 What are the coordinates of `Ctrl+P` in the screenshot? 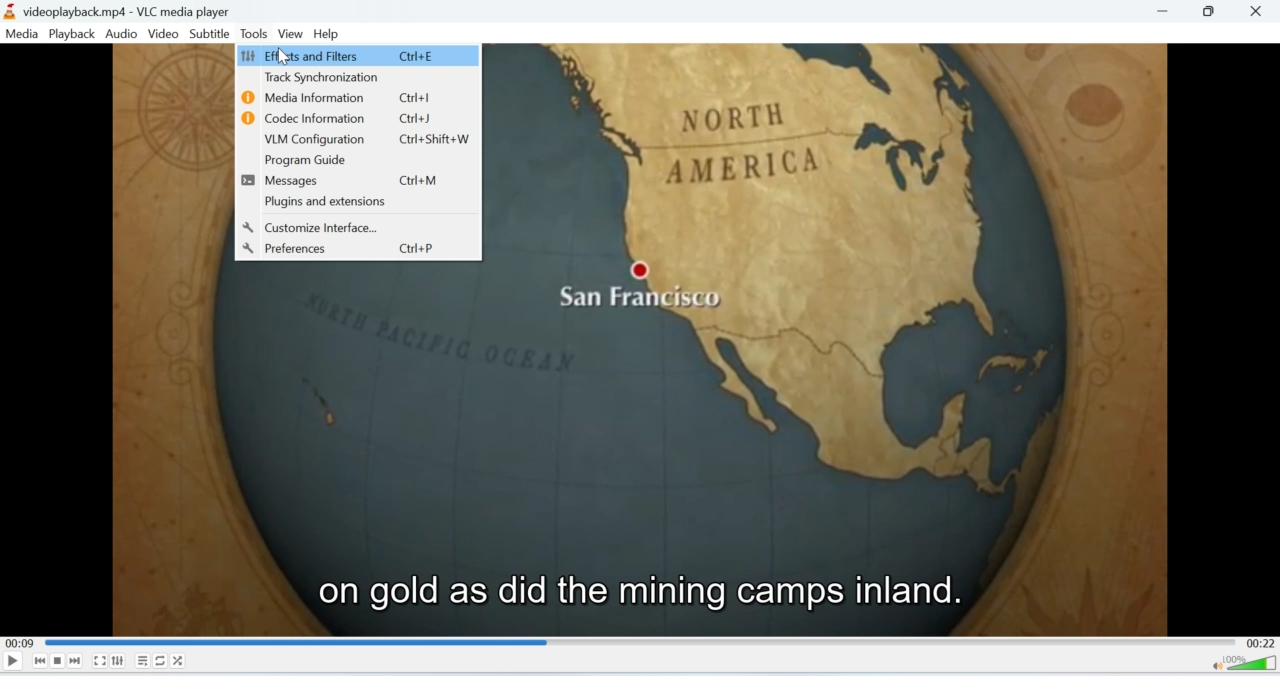 It's located at (415, 247).